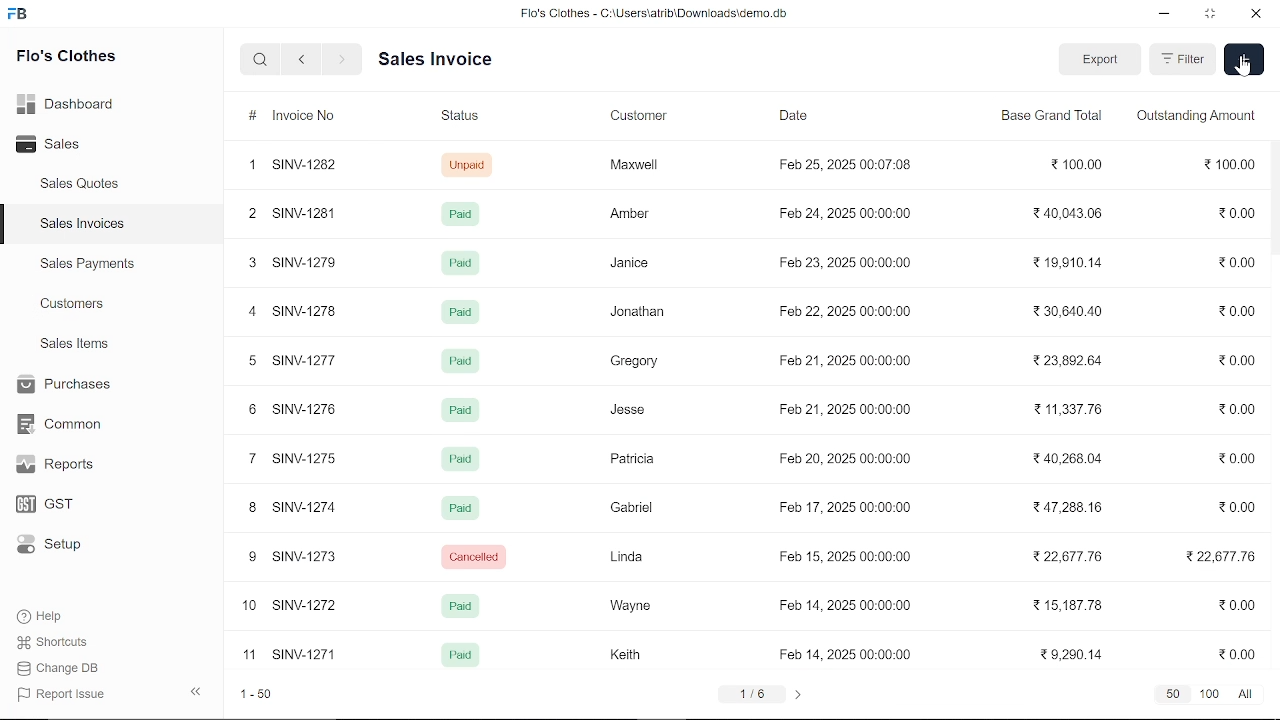 Image resolution: width=1280 pixels, height=720 pixels. I want to click on Base Grand Total, so click(1051, 119).